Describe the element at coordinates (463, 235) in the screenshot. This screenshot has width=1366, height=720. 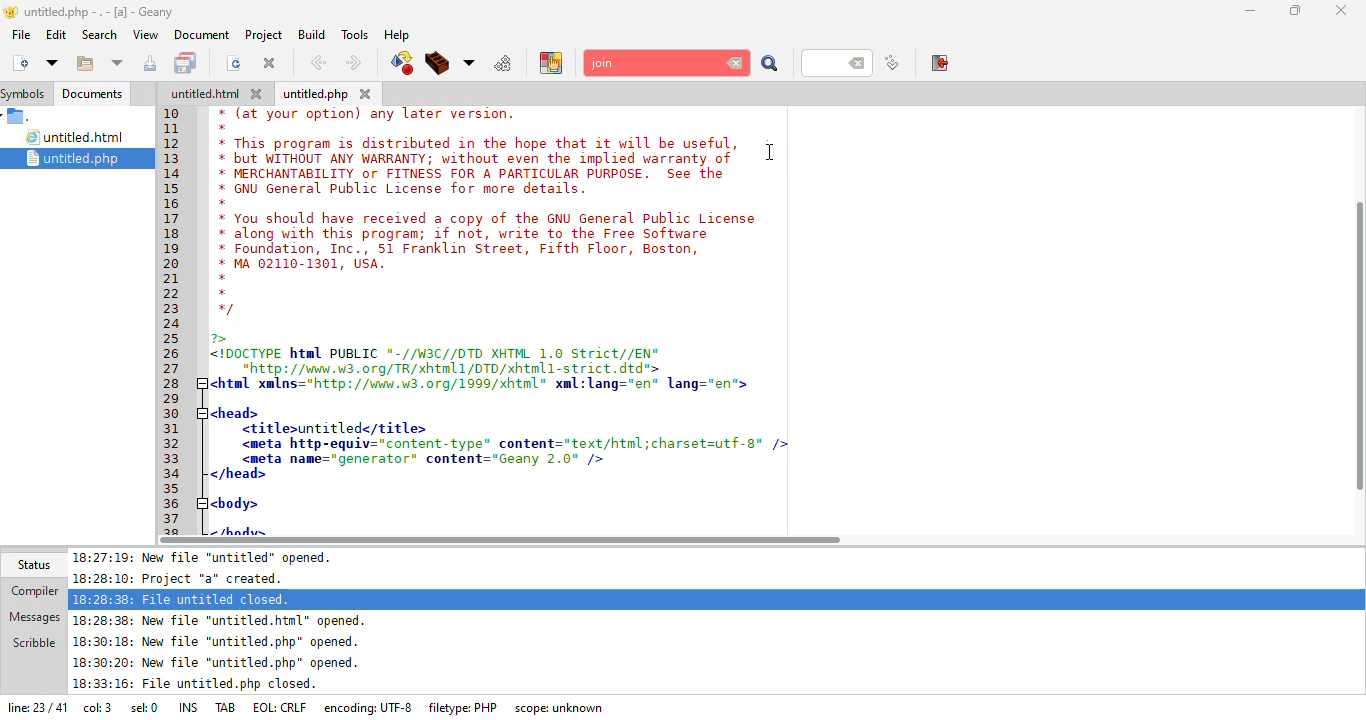
I see `* along with this program; if not, write to the Free Software` at that location.